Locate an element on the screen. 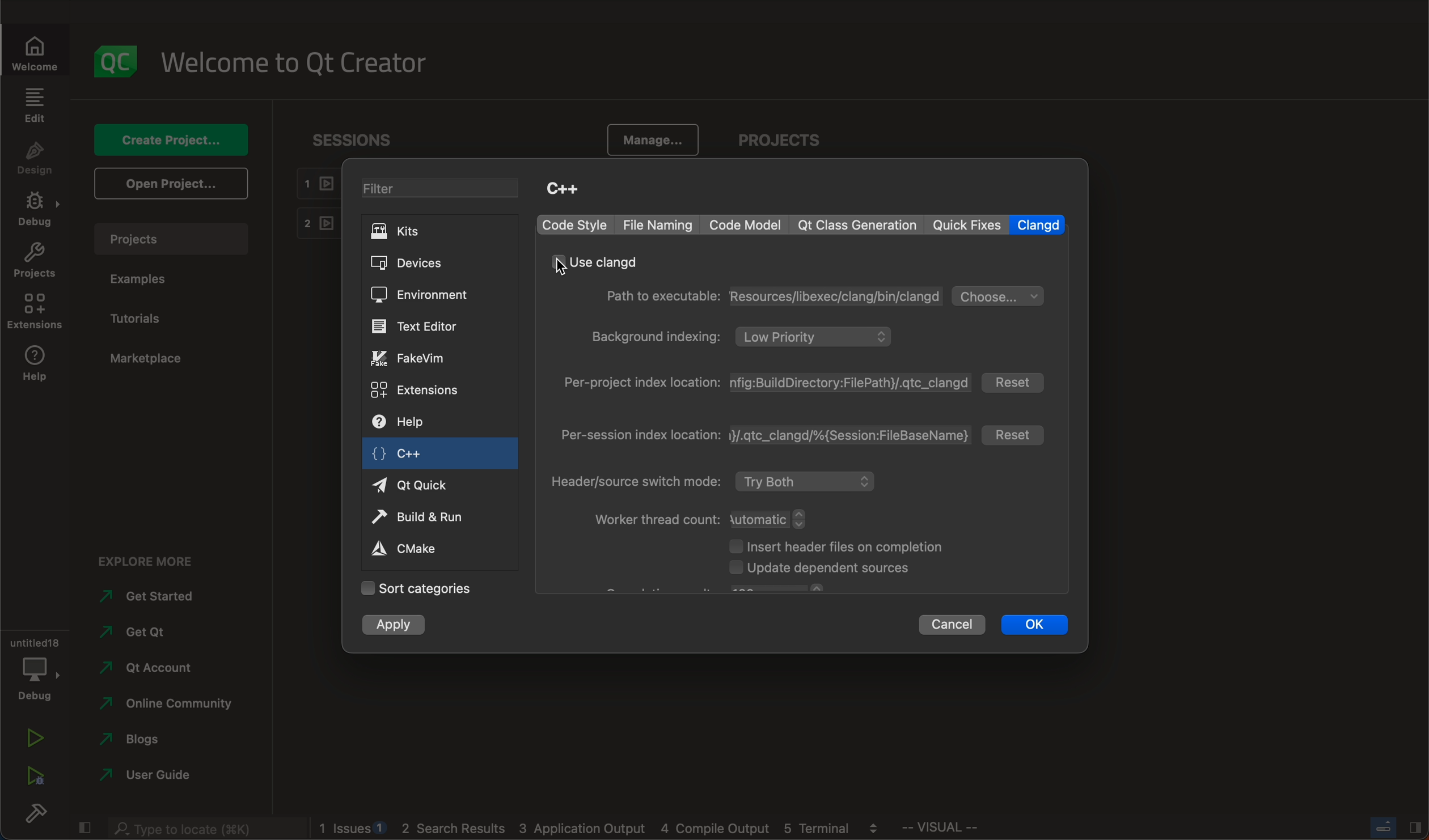 The height and width of the screenshot is (840, 1429). background indexing is located at coordinates (745, 337).